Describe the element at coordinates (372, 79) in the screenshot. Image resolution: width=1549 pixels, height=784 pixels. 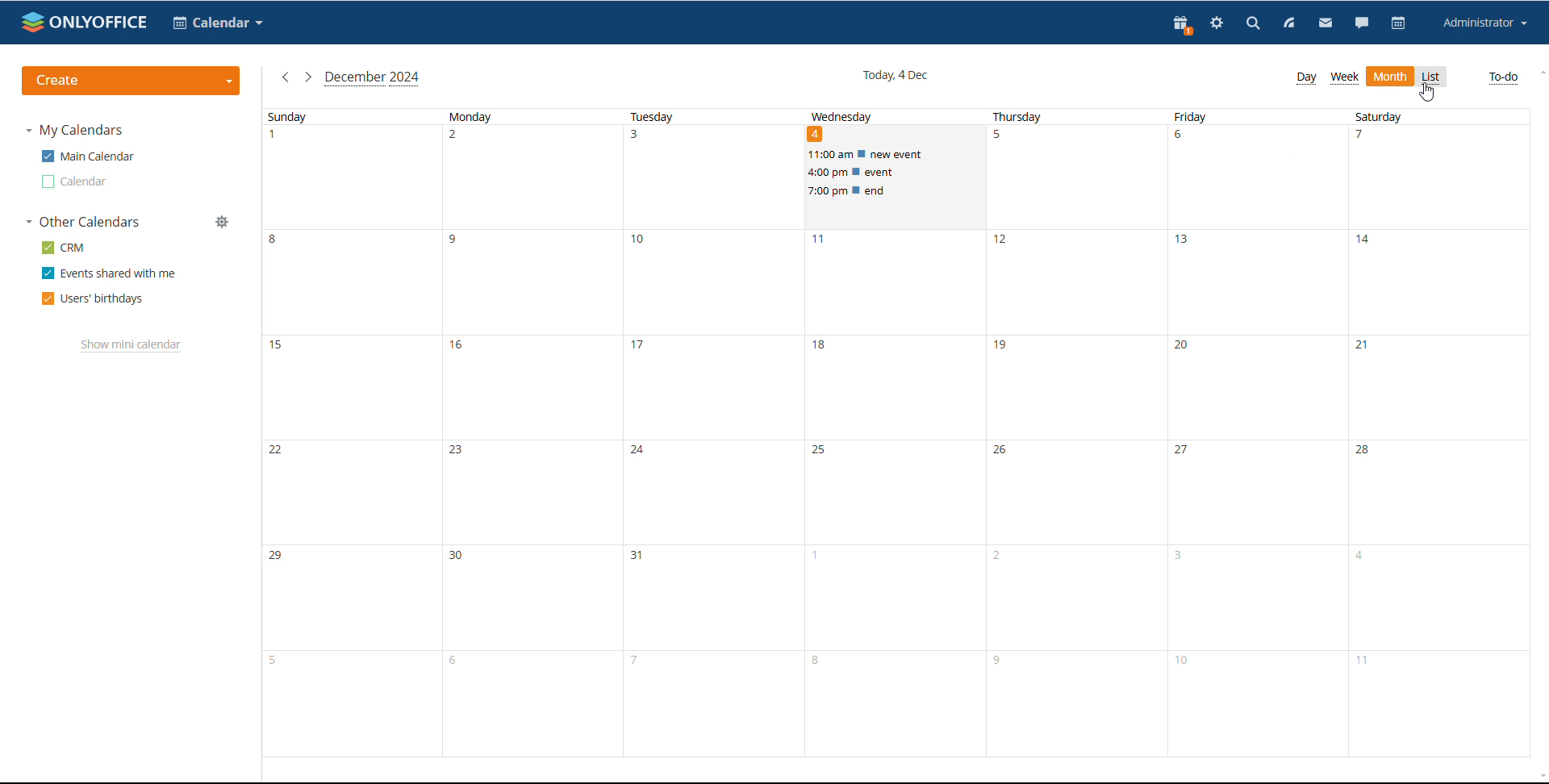
I see `current month` at that location.